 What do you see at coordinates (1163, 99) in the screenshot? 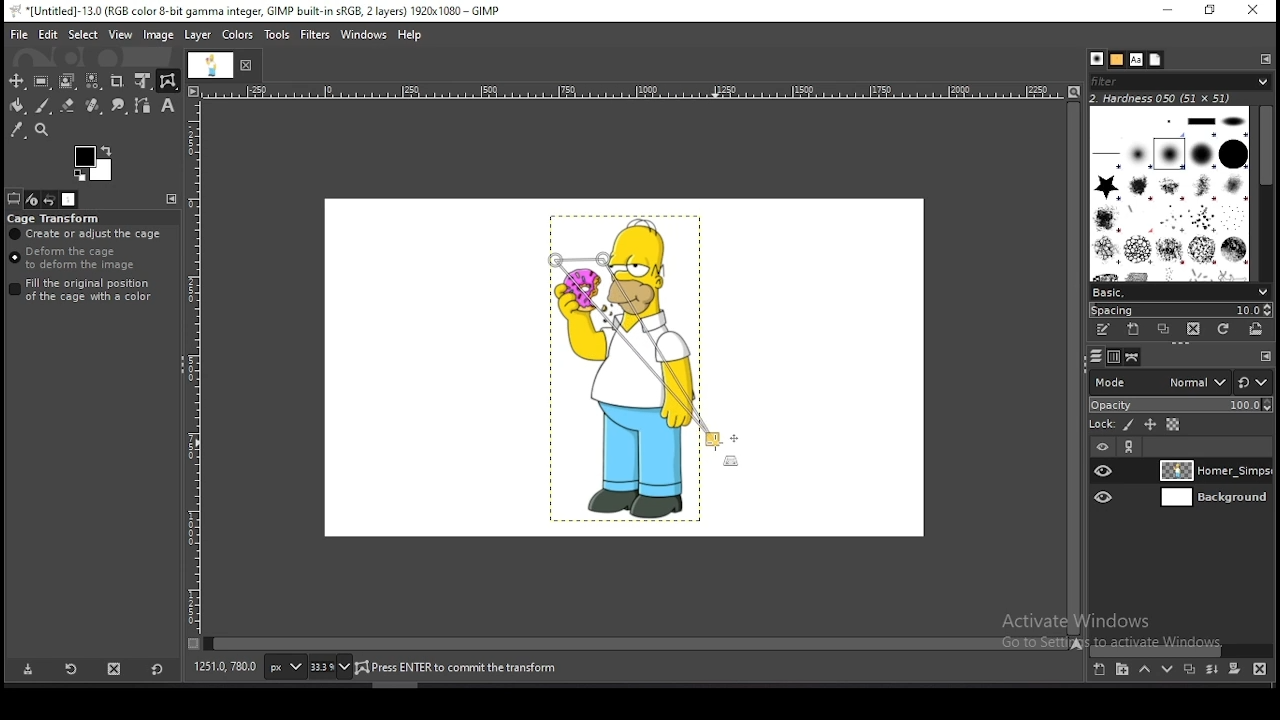
I see `hardness 050` at bounding box center [1163, 99].